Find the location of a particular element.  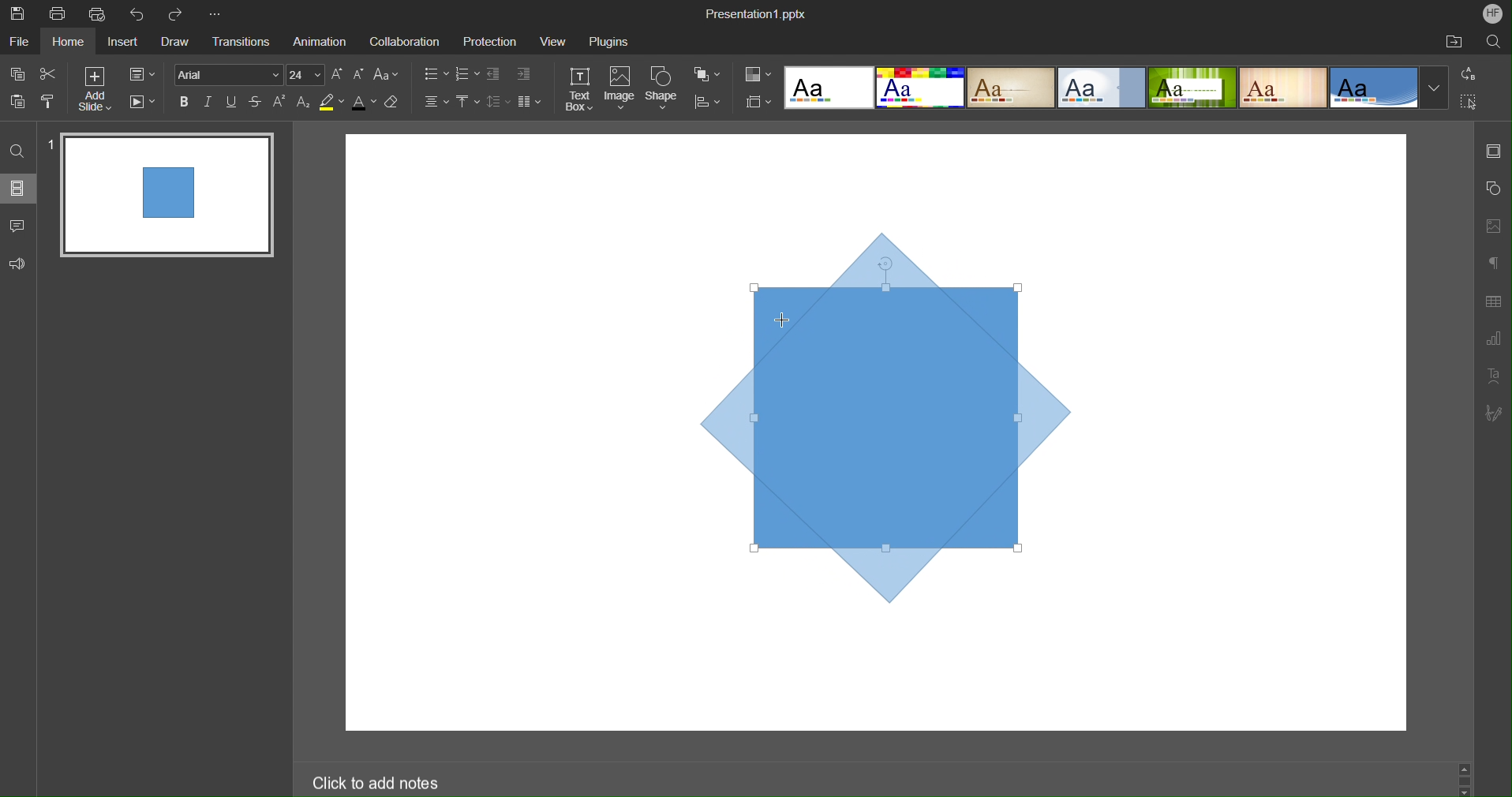

Shape (Rotating) is located at coordinates (885, 410).